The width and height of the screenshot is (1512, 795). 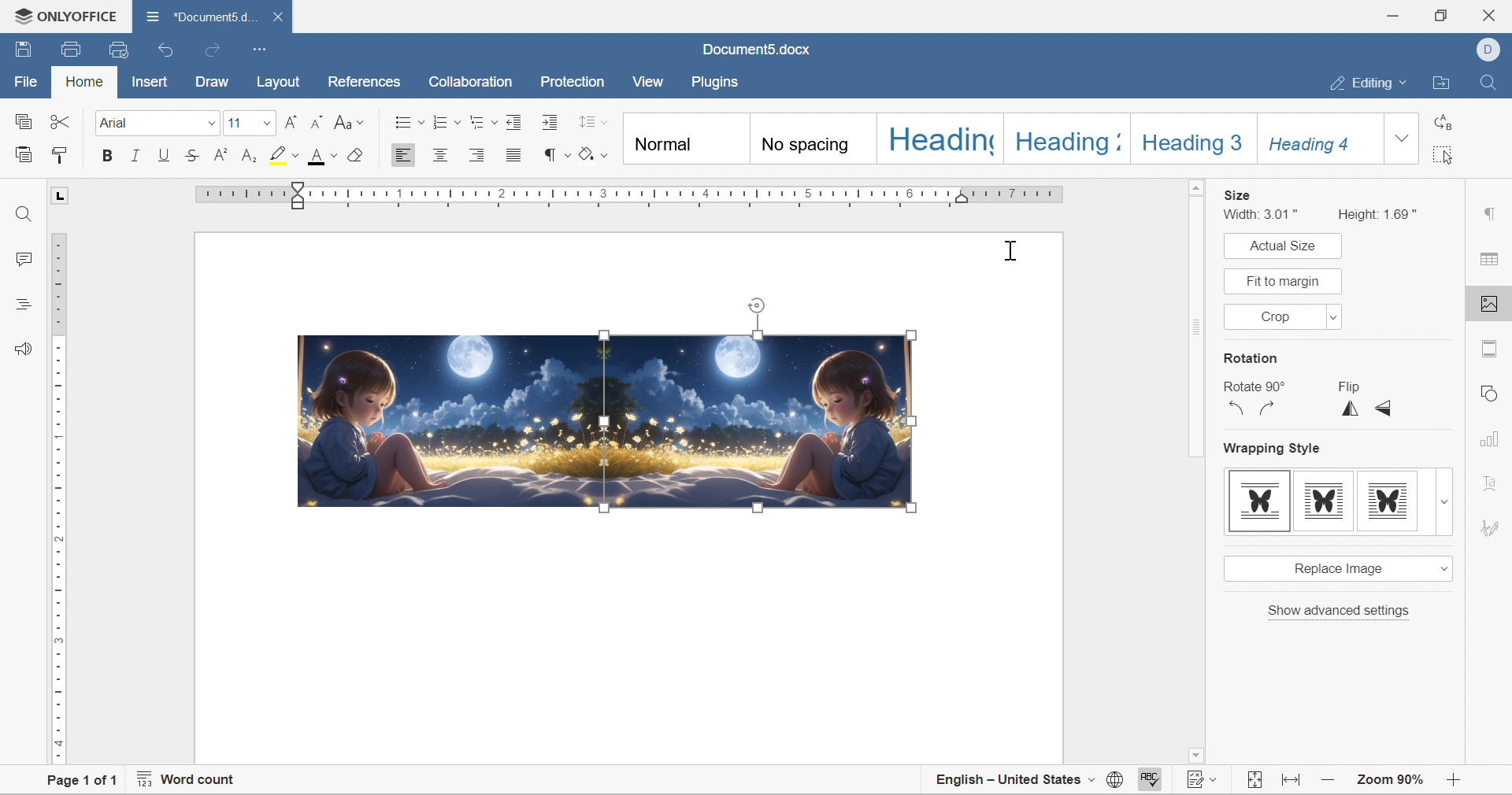 What do you see at coordinates (1455, 758) in the screenshot?
I see `scroll down` at bounding box center [1455, 758].